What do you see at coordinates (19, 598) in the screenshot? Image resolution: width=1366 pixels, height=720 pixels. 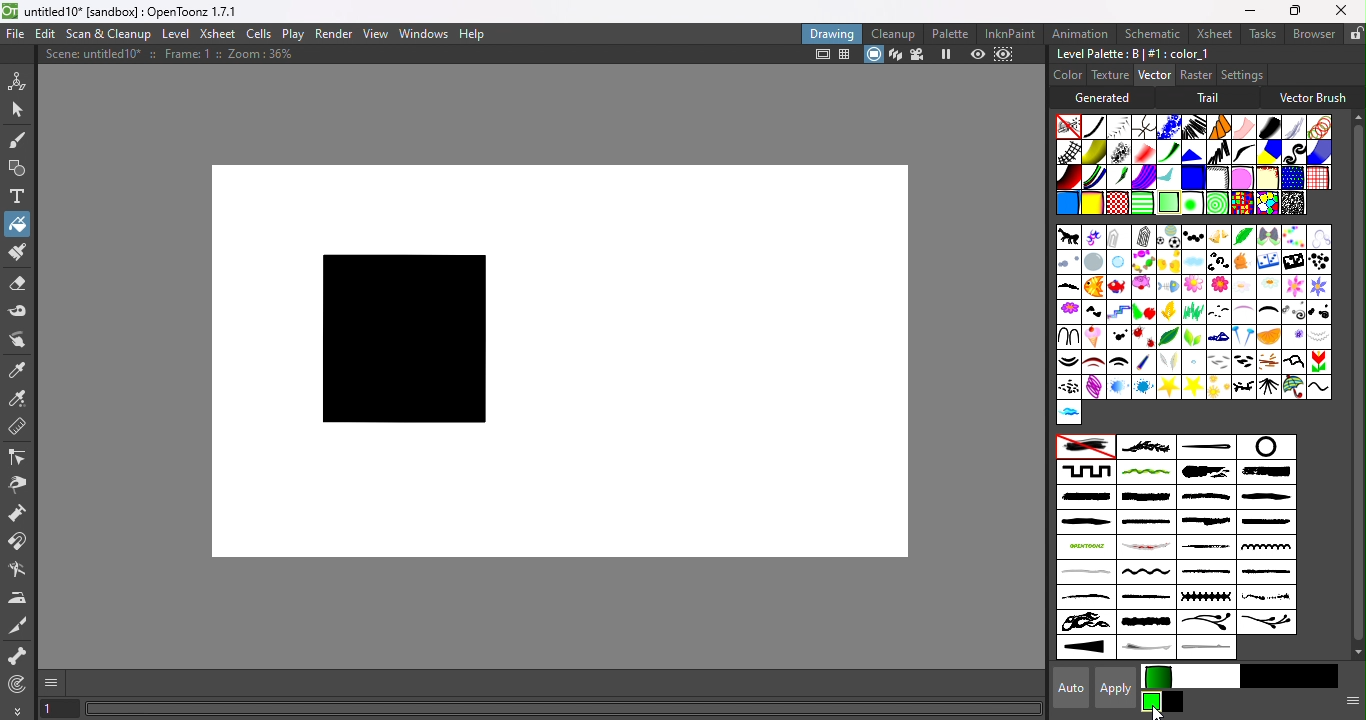 I see `Iron tool` at bounding box center [19, 598].